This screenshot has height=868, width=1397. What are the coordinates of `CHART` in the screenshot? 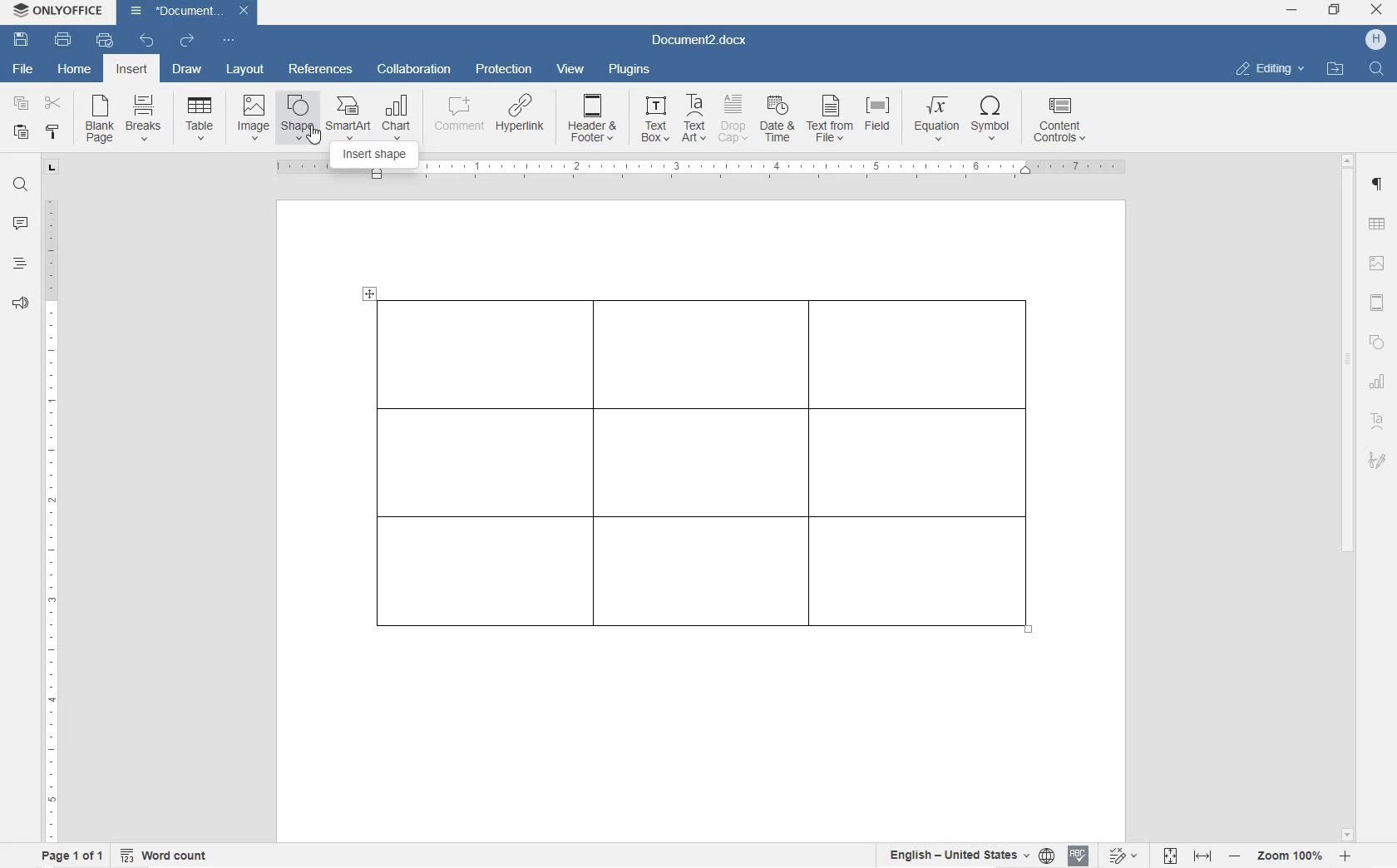 It's located at (397, 116).